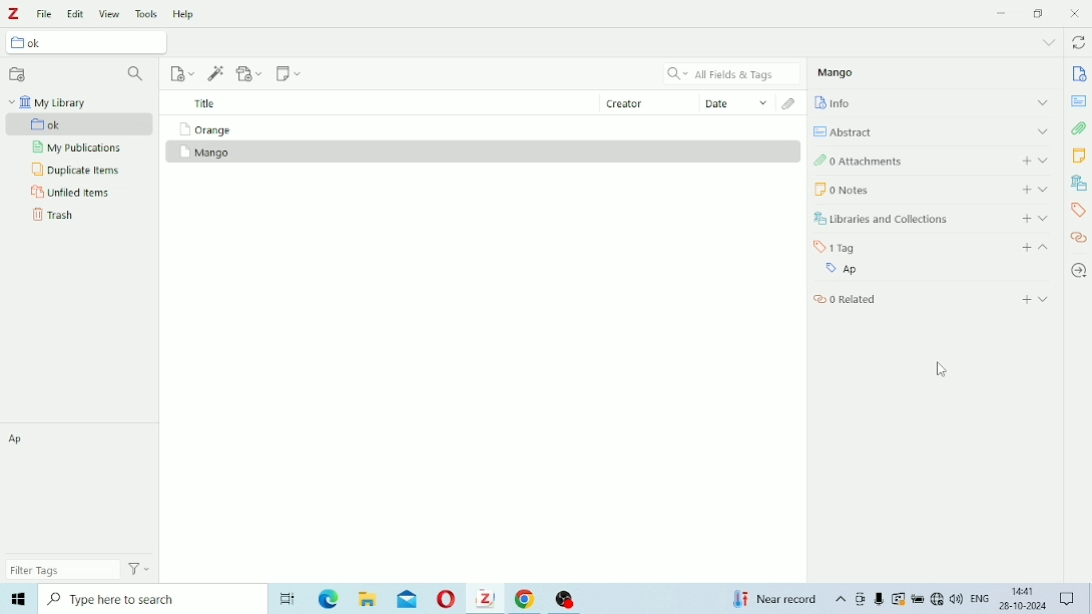  Describe the element at coordinates (898, 599) in the screenshot. I see `Warning` at that location.